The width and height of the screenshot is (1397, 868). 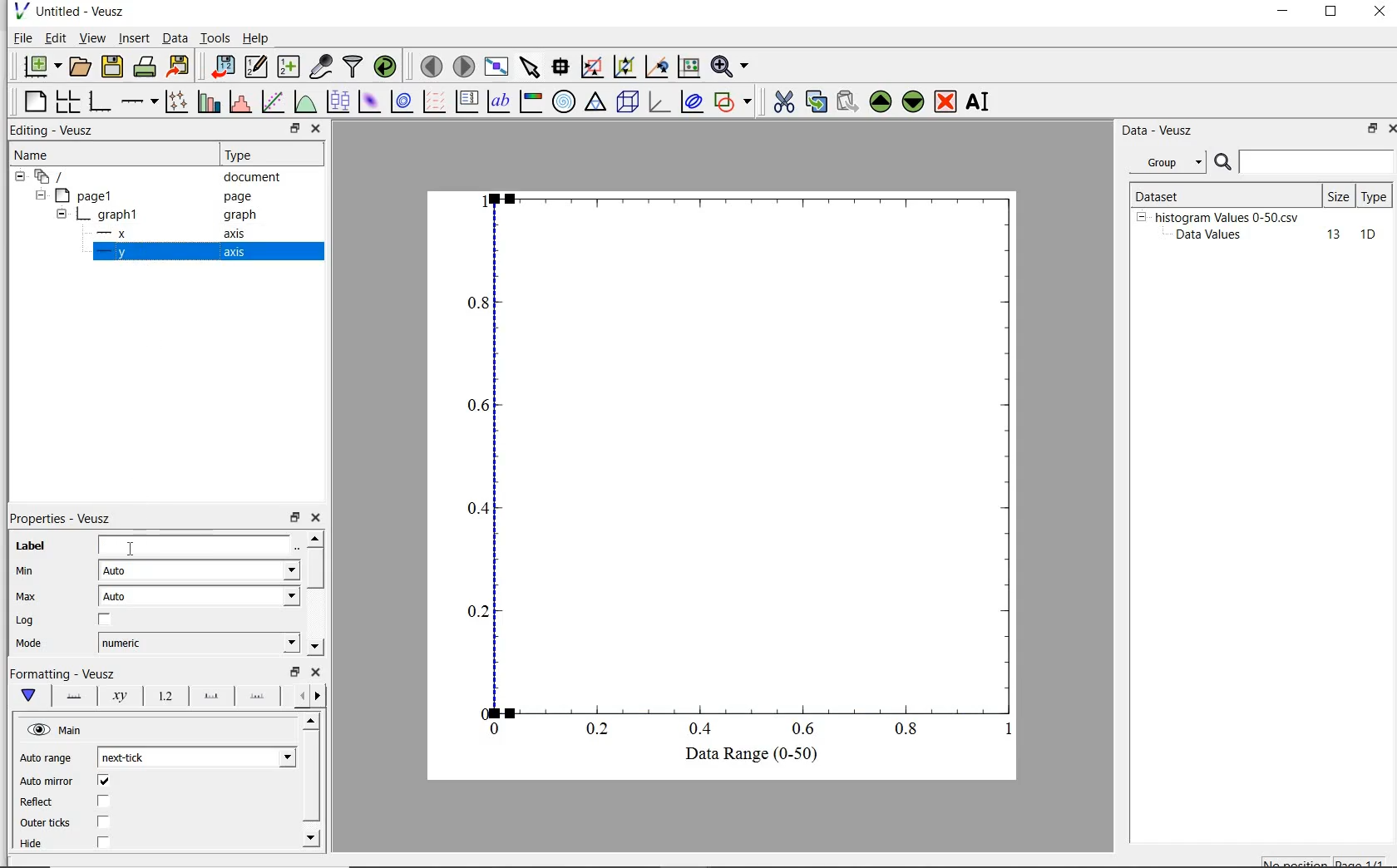 I want to click on blank page, so click(x=36, y=101).